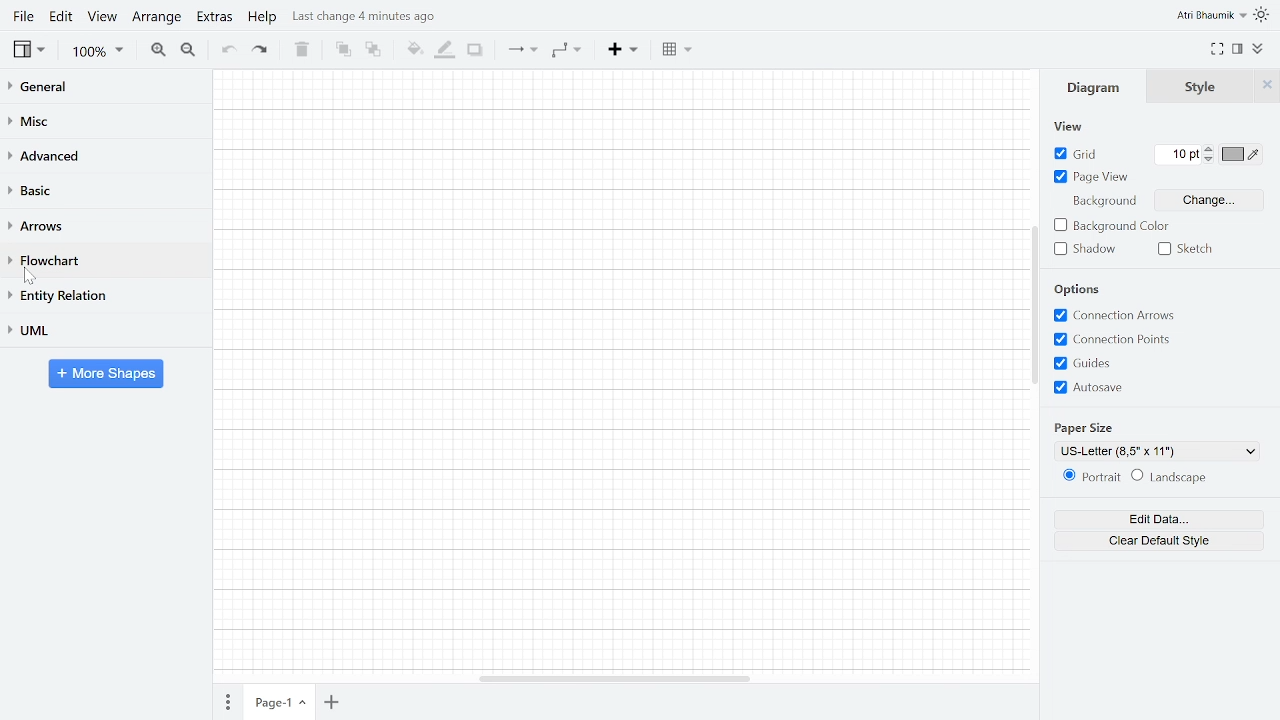  What do you see at coordinates (1162, 542) in the screenshot?
I see `Clear default style` at bounding box center [1162, 542].